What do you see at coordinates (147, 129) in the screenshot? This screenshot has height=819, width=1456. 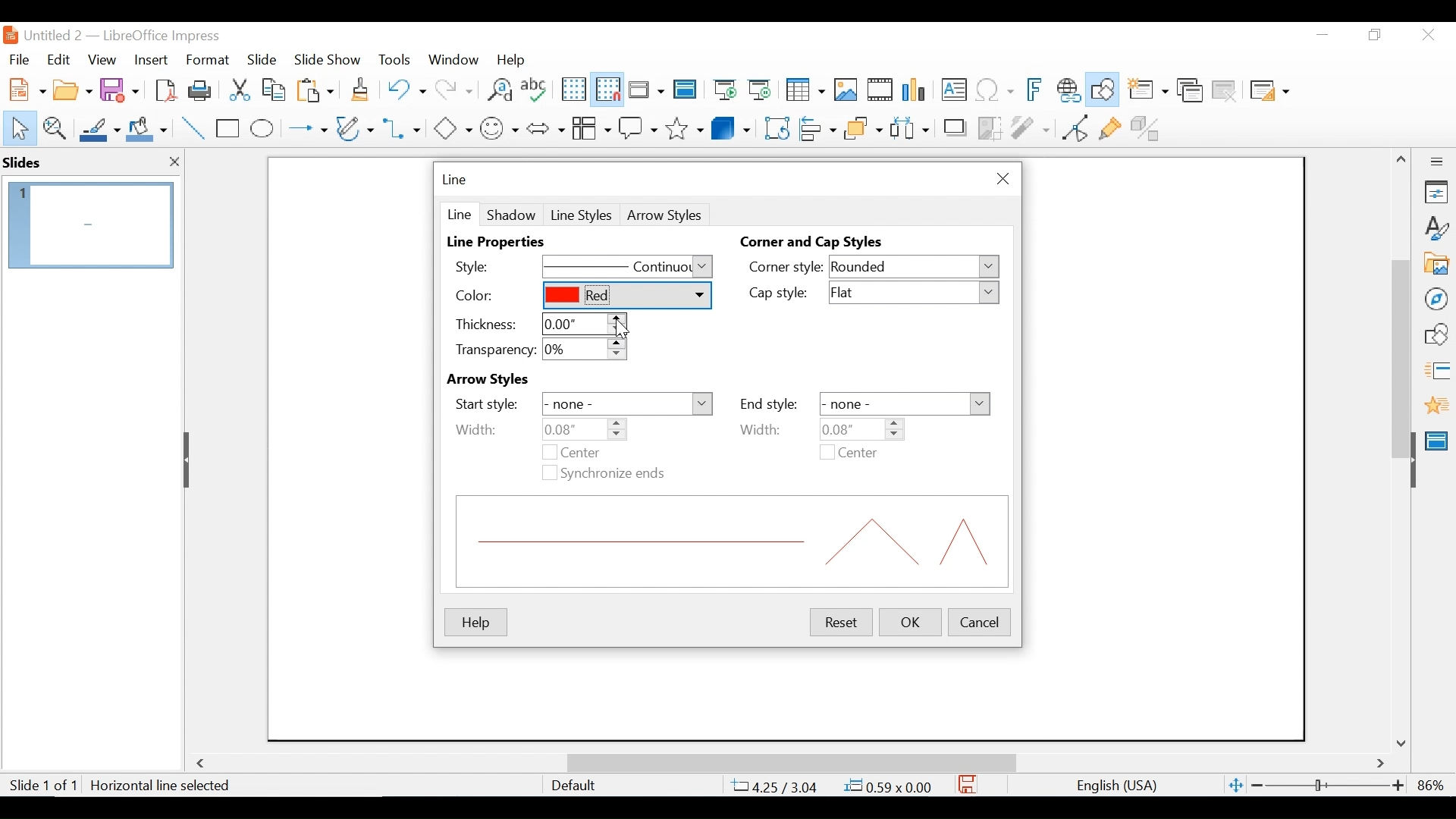 I see `Fill Color` at bounding box center [147, 129].